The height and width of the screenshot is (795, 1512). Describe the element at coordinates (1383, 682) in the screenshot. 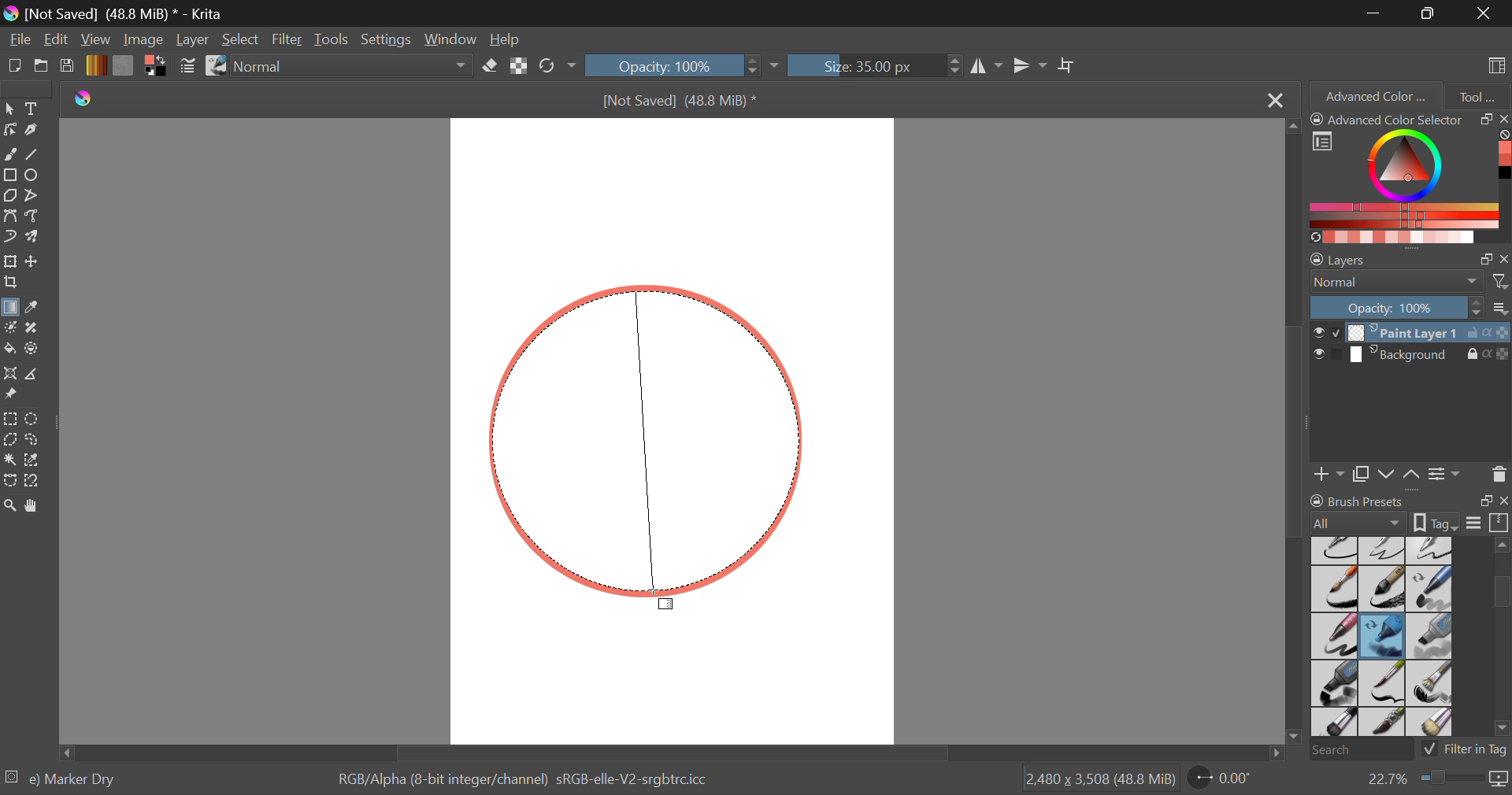

I see `Bristles-1 Details` at that location.